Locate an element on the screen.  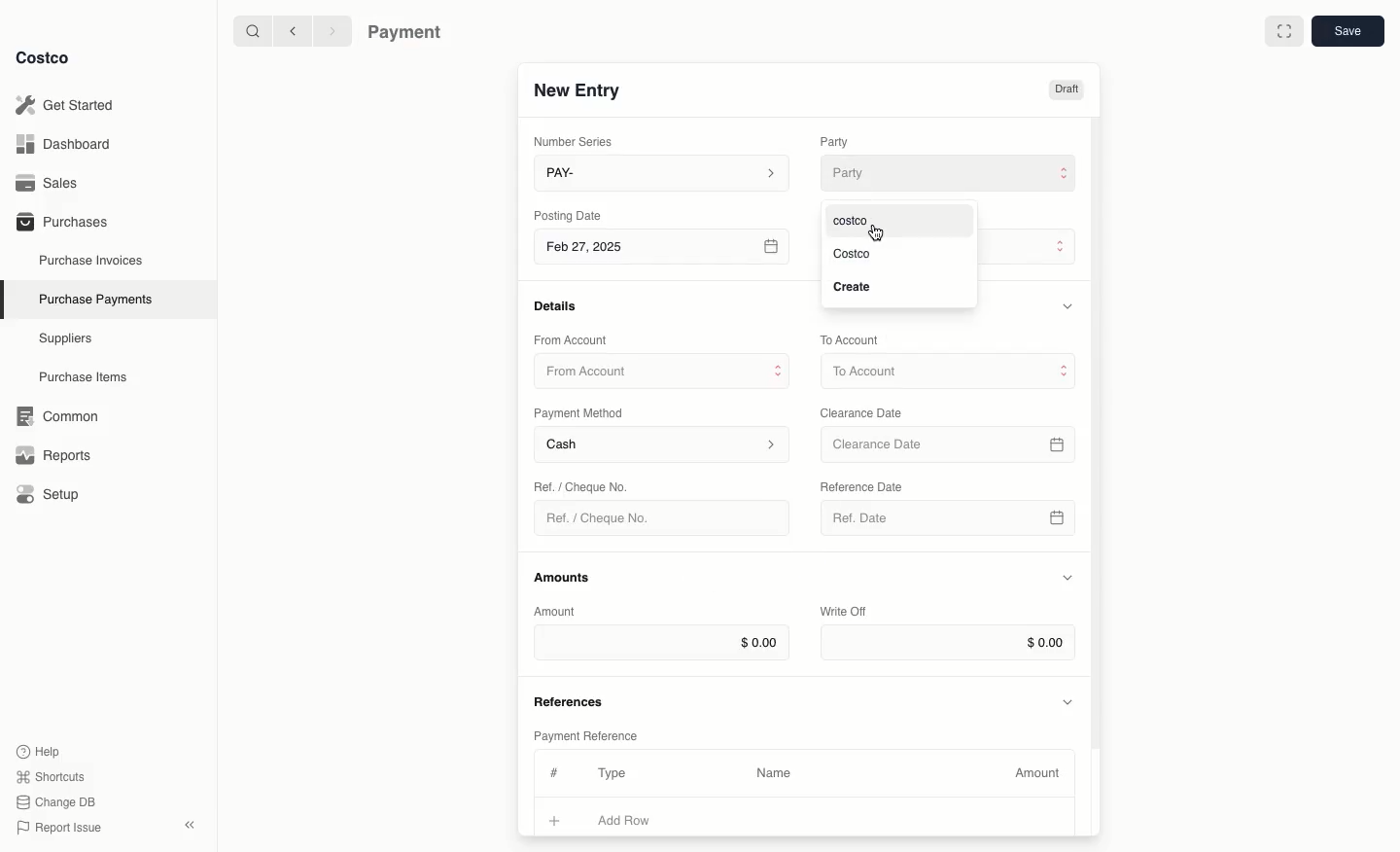
To Account is located at coordinates (951, 370).